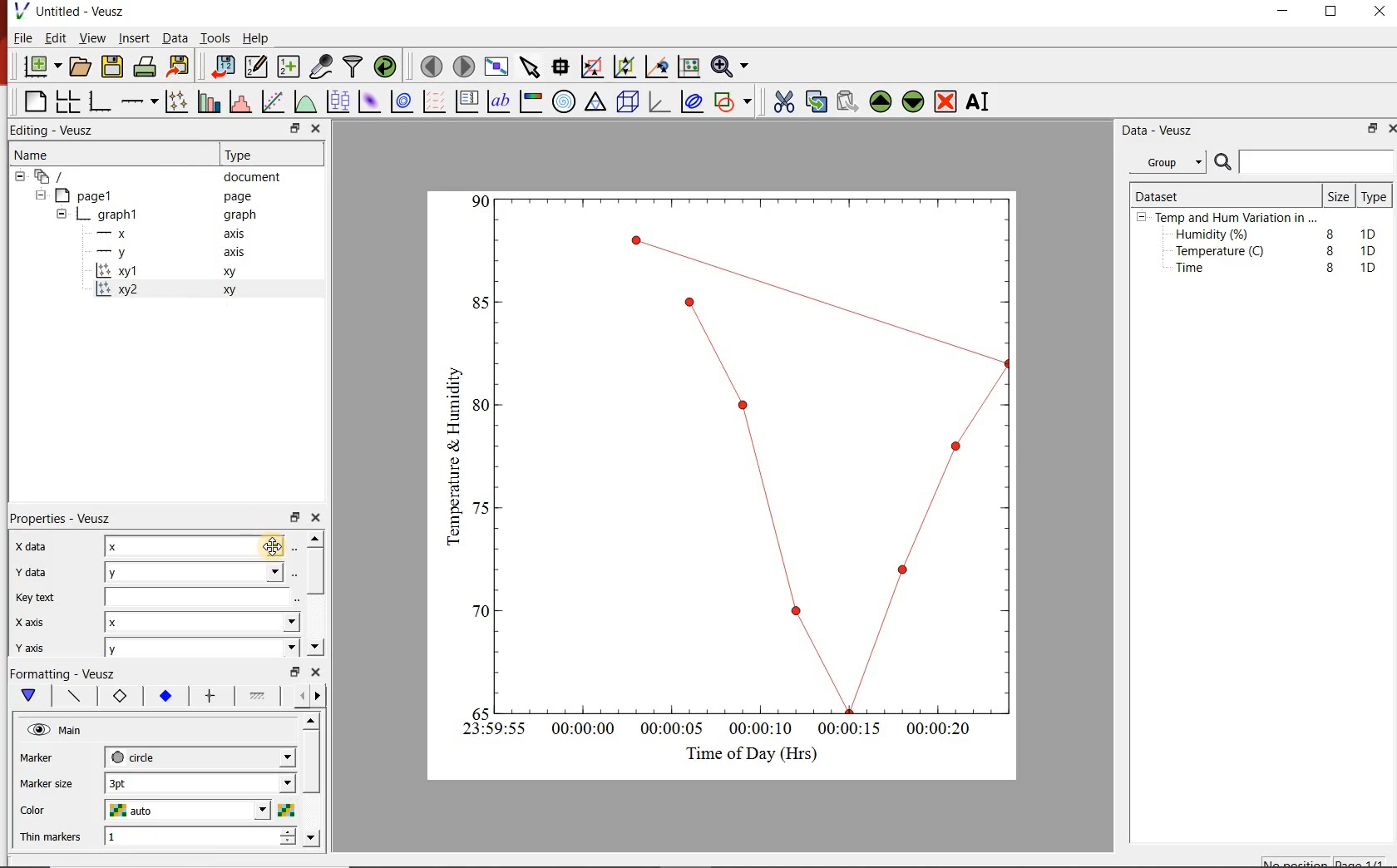 The height and width of the screenshot is (868, 1397). Describe the element at coordinates (318, 673) in the screenshot. I see `close` at that location.